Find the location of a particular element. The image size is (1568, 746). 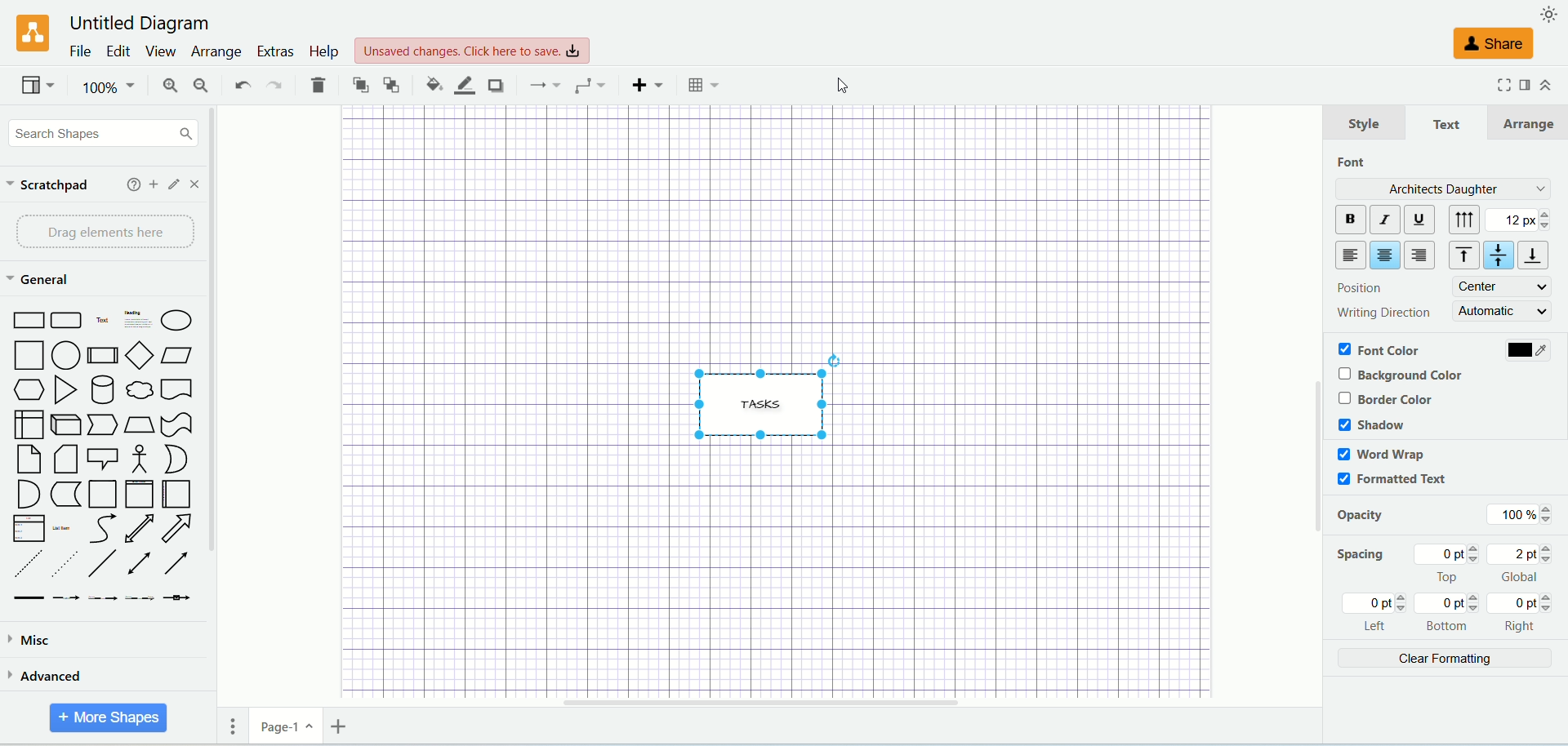

border color is located at coordinates (1384, 400).